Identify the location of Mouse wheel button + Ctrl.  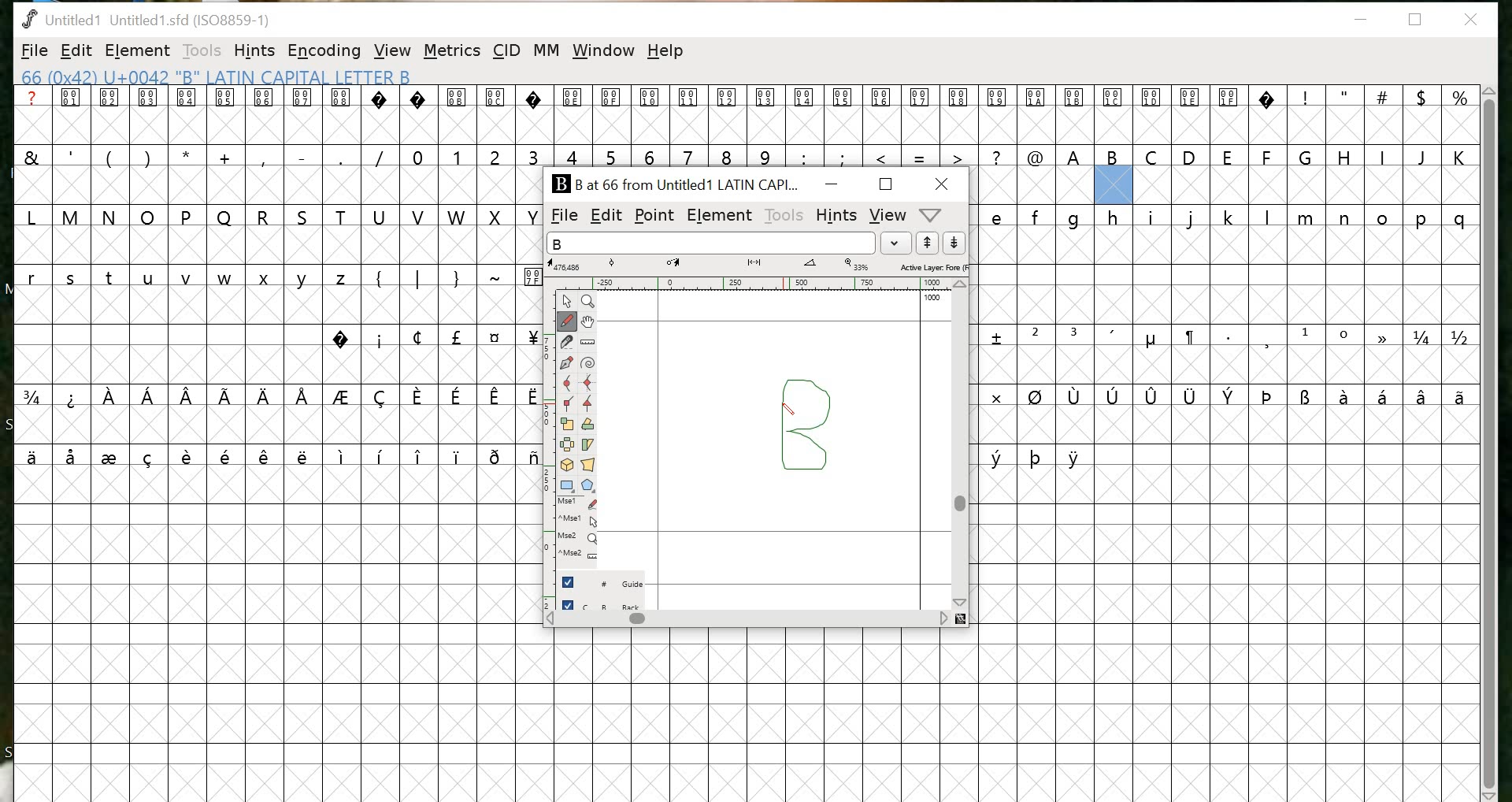
(579, 555).